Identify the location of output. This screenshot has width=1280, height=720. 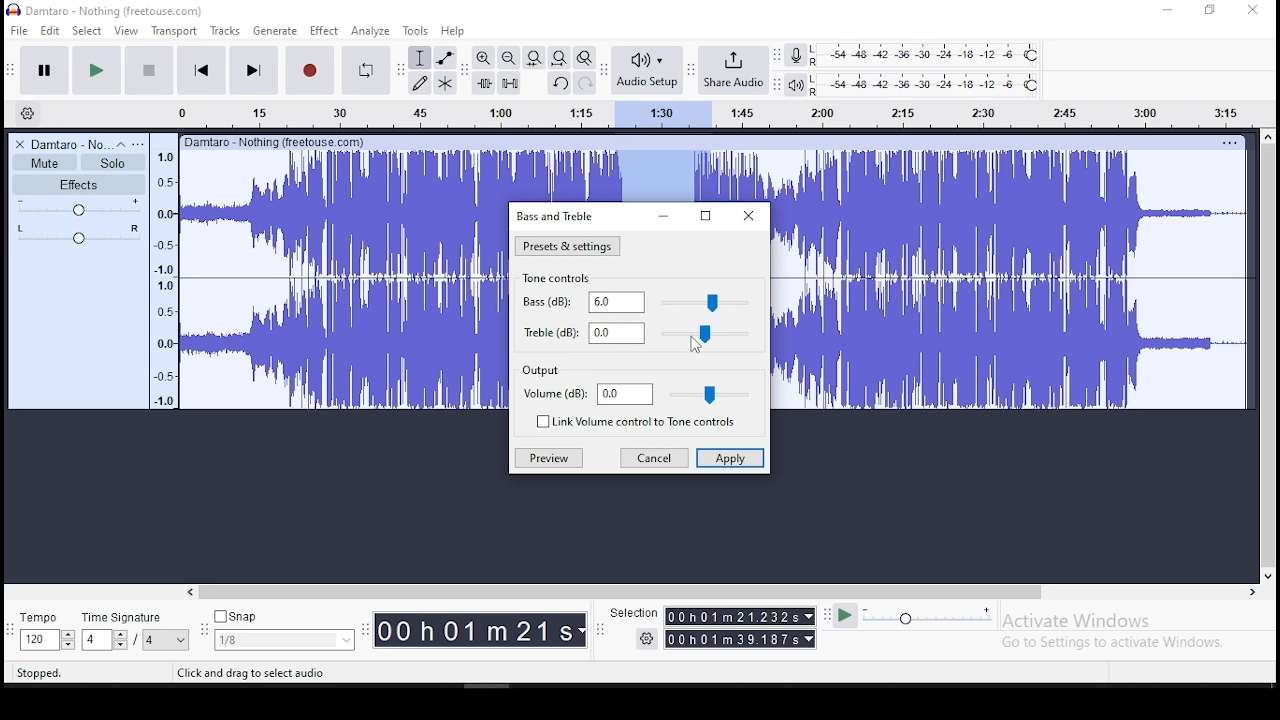
(541, 372).